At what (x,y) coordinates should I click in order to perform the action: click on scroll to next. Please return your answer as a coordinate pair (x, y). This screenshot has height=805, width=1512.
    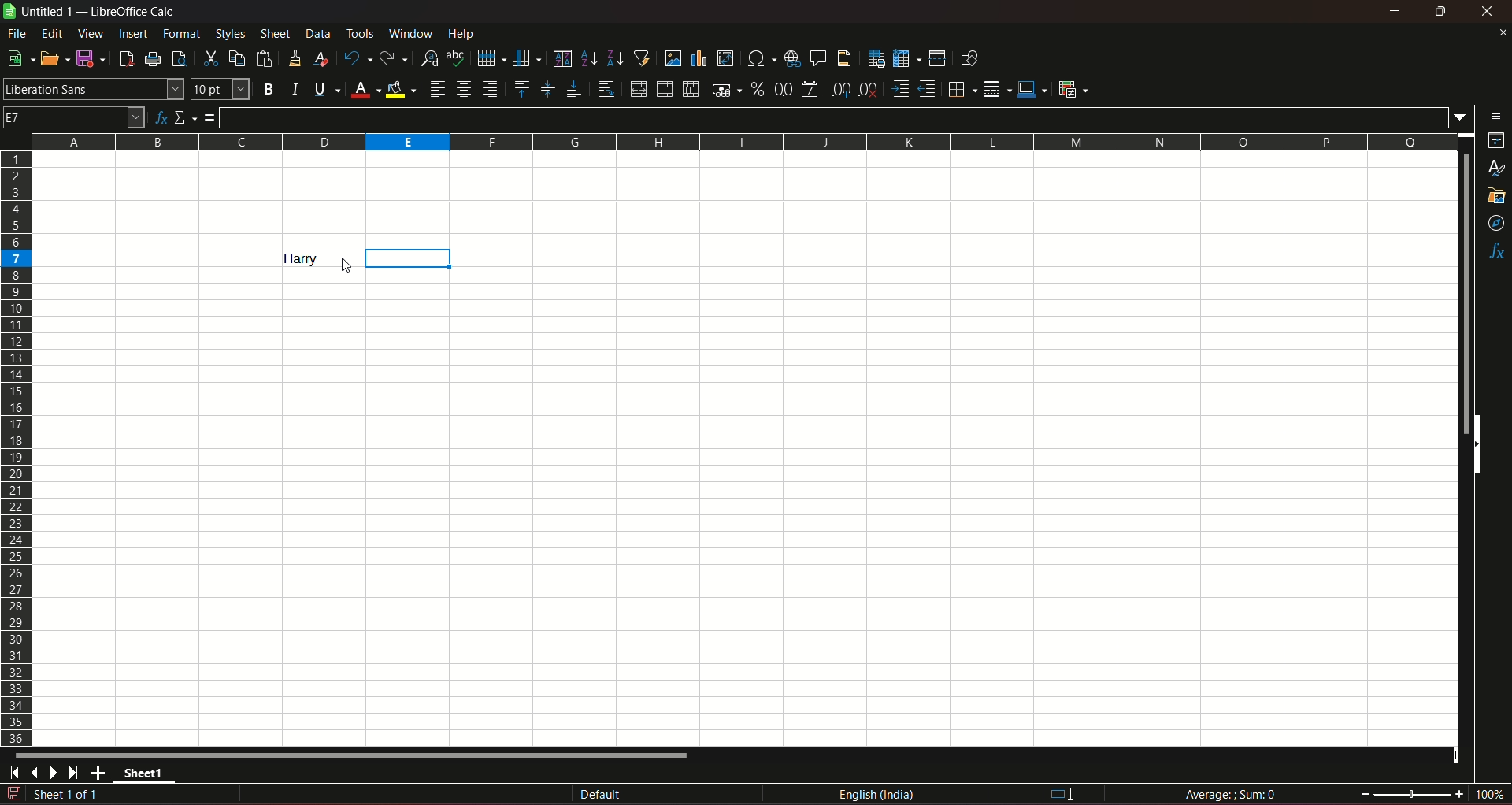
    Looking at the image, I should click on (57, 773).